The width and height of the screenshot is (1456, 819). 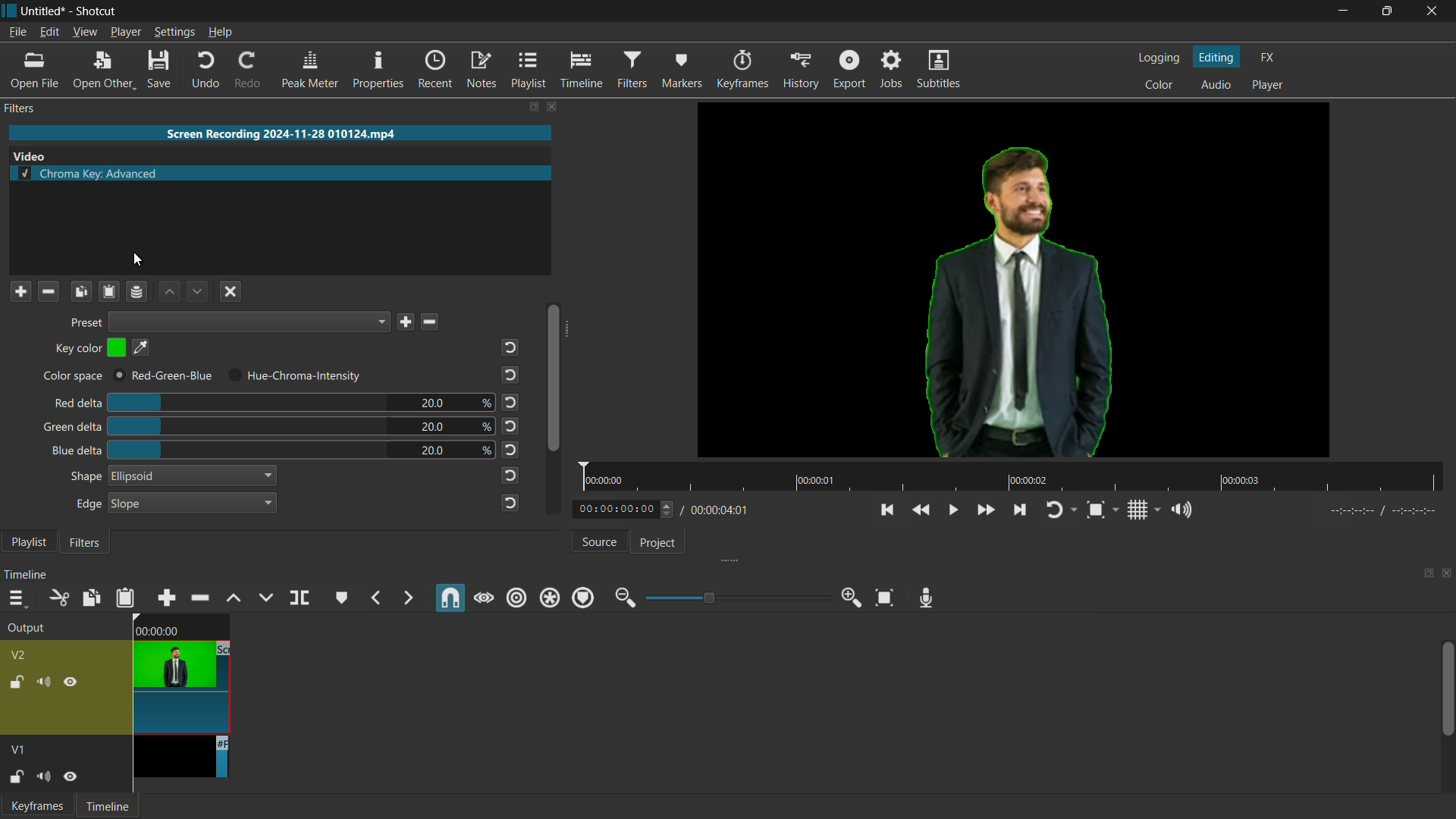 What do you see at coordinates (49, 32) in the screenshot?
I see `edit menu` at bounding box center [49, 32].